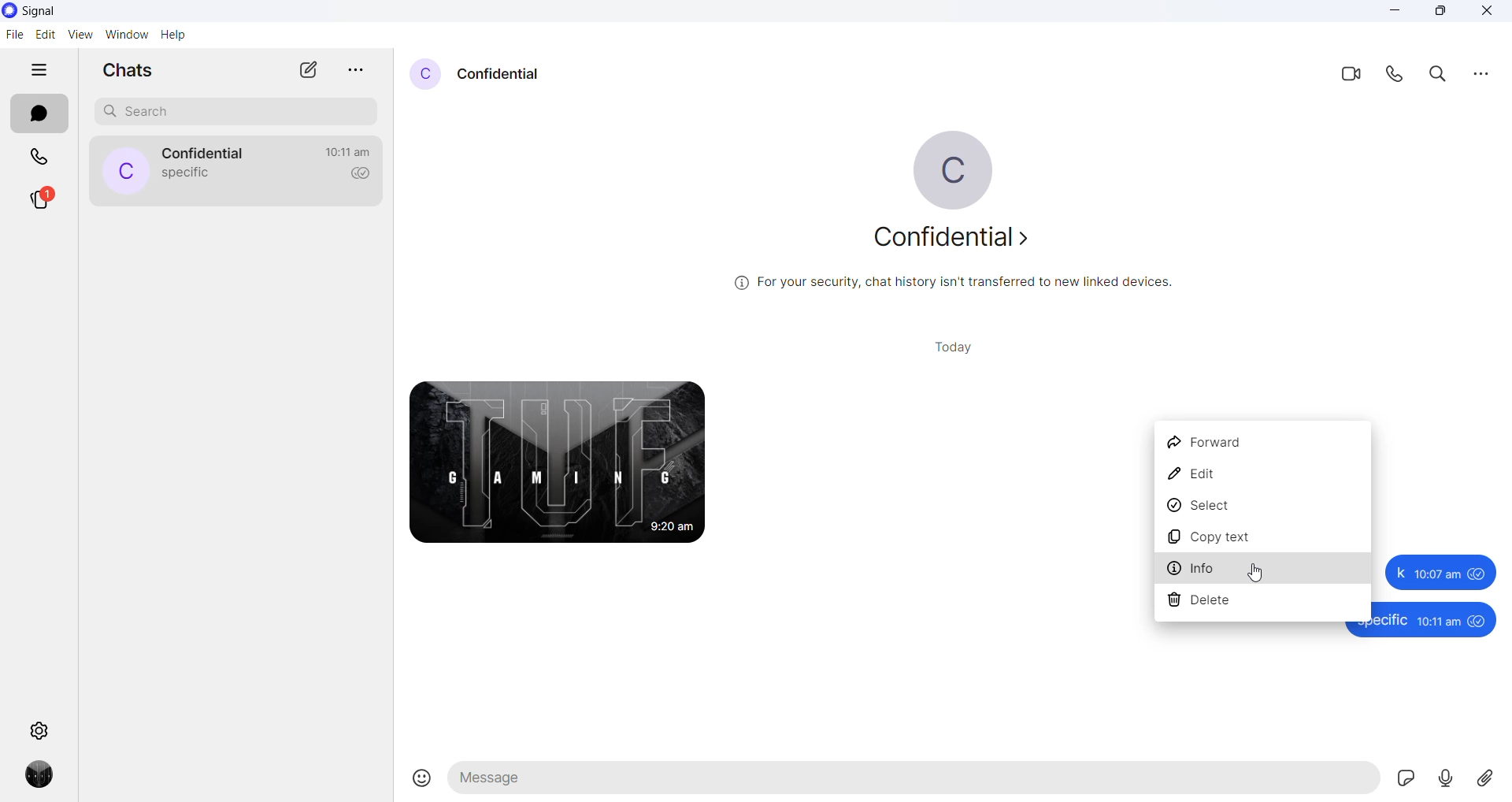  I want to click on photo received, so click(559, 463).